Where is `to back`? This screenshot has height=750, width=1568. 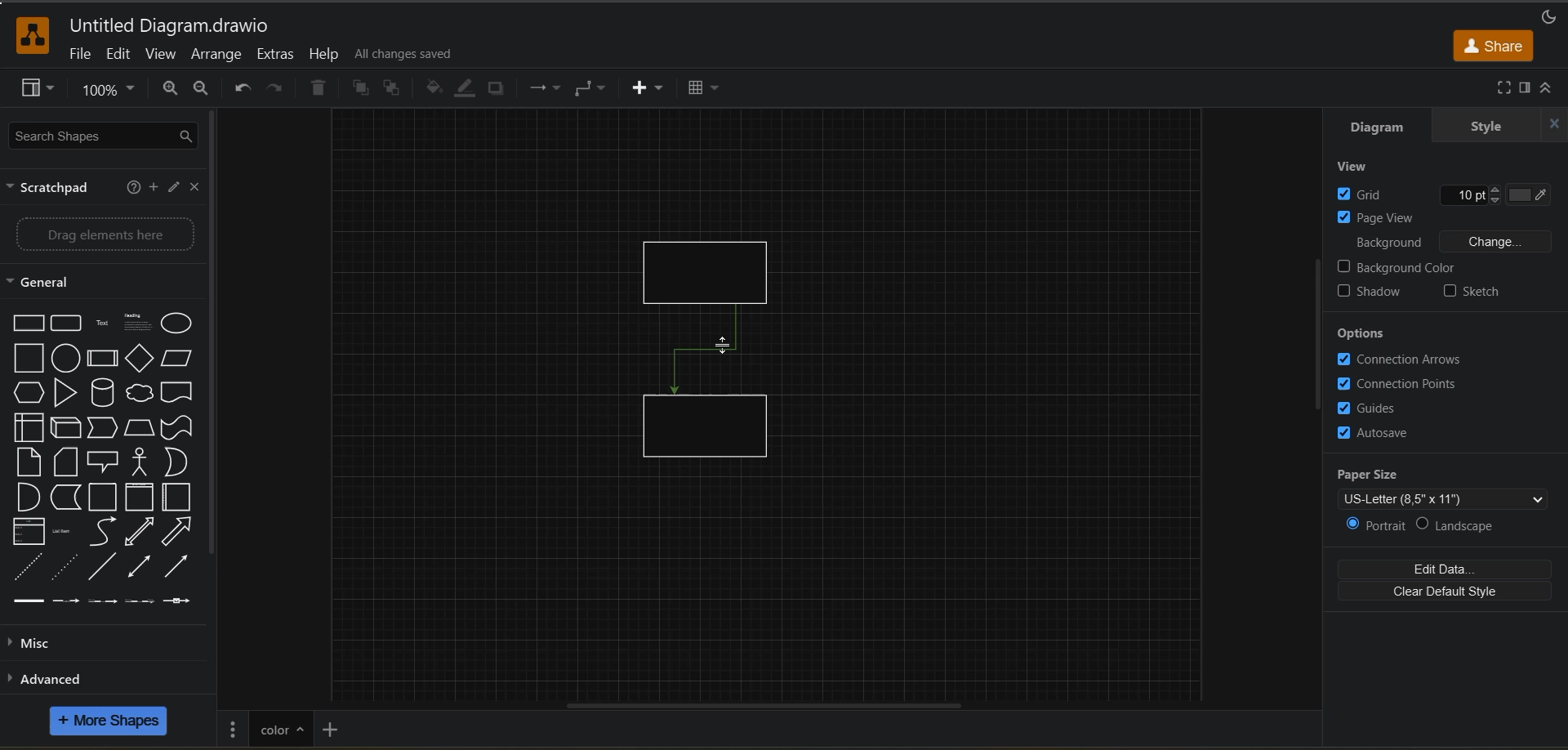
to back is located at coordinates (395, 90).